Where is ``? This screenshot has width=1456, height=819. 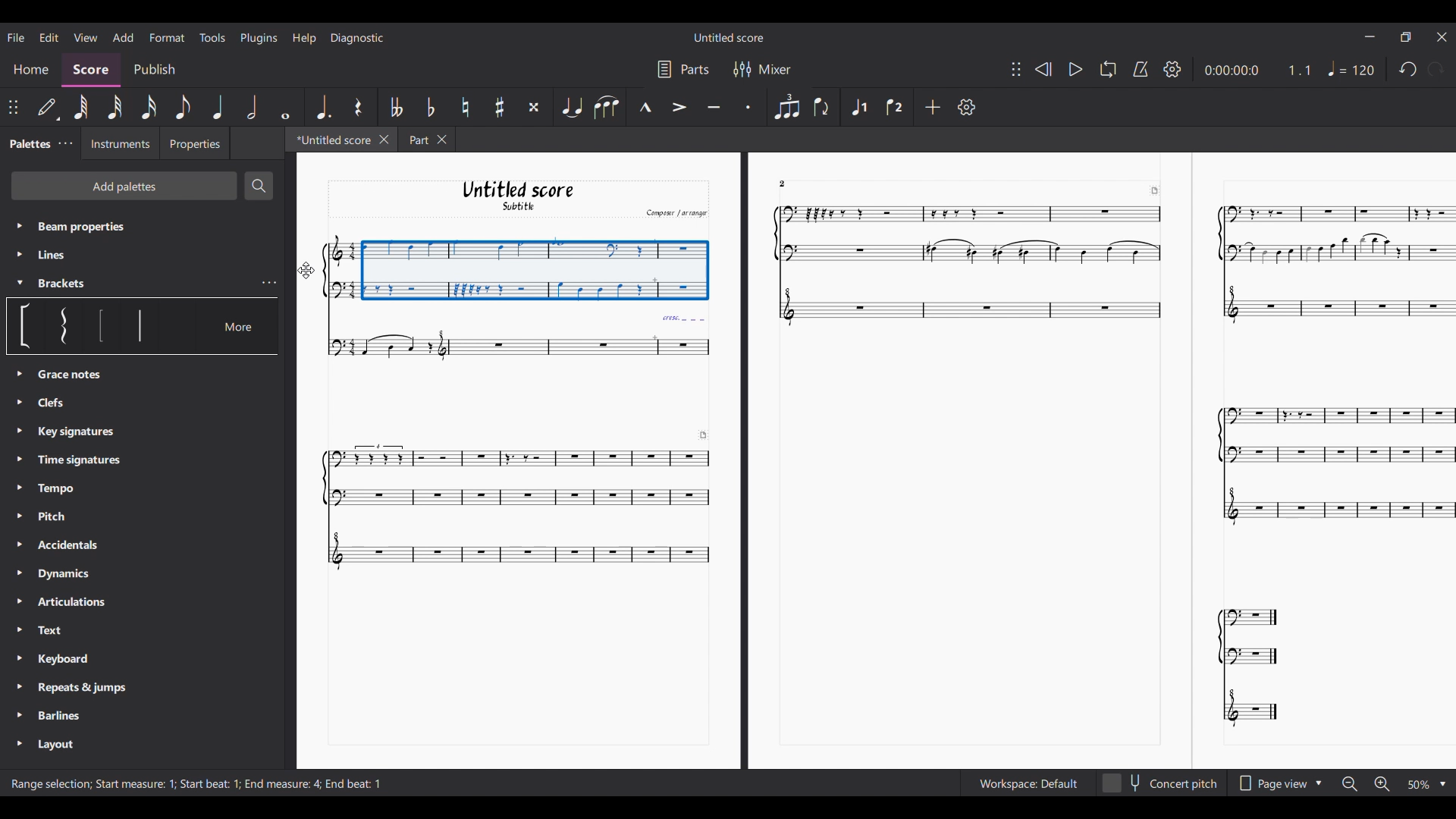
 is located at coordinates (1338, 212).